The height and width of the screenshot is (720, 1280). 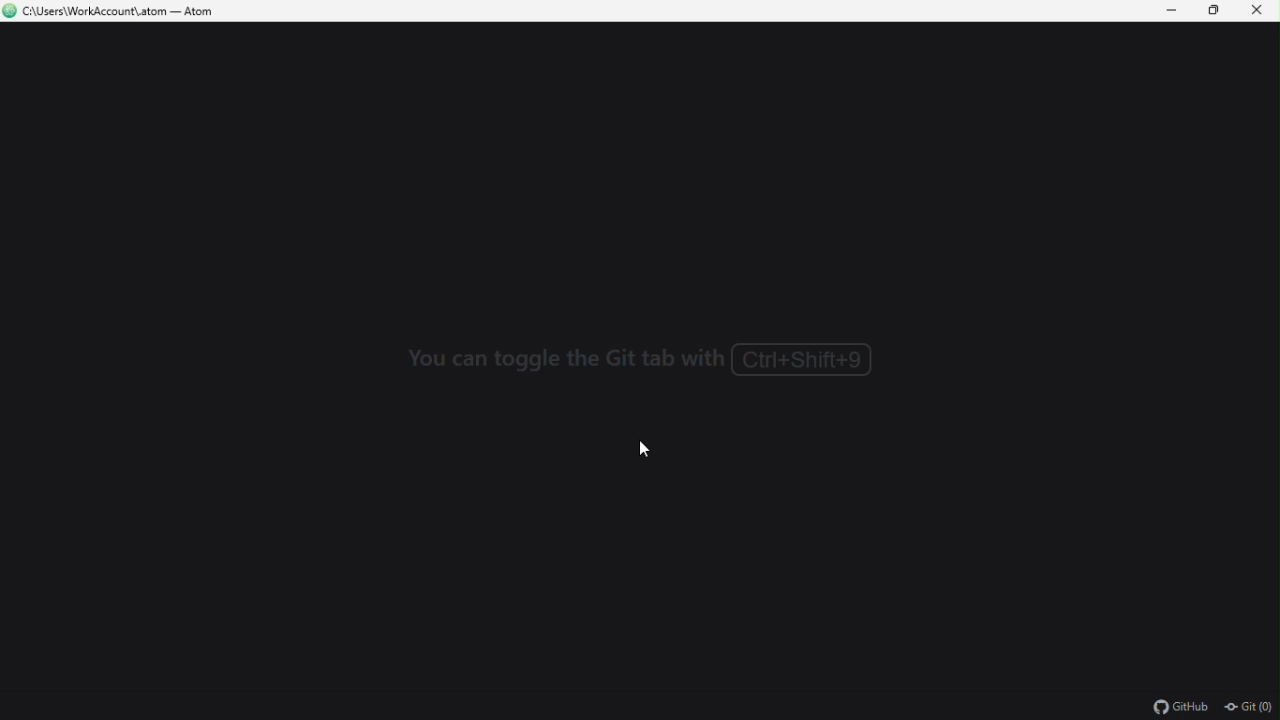 I want to click on mouse, so click(x=644, y=451).